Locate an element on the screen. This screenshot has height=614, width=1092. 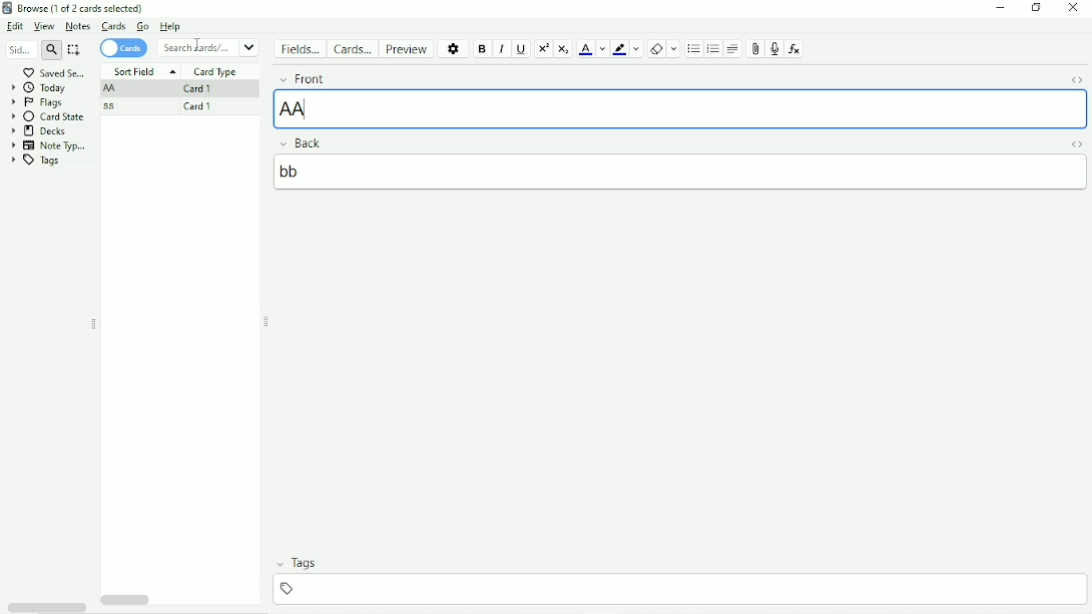
Flags is located at coordinates (37, 102).